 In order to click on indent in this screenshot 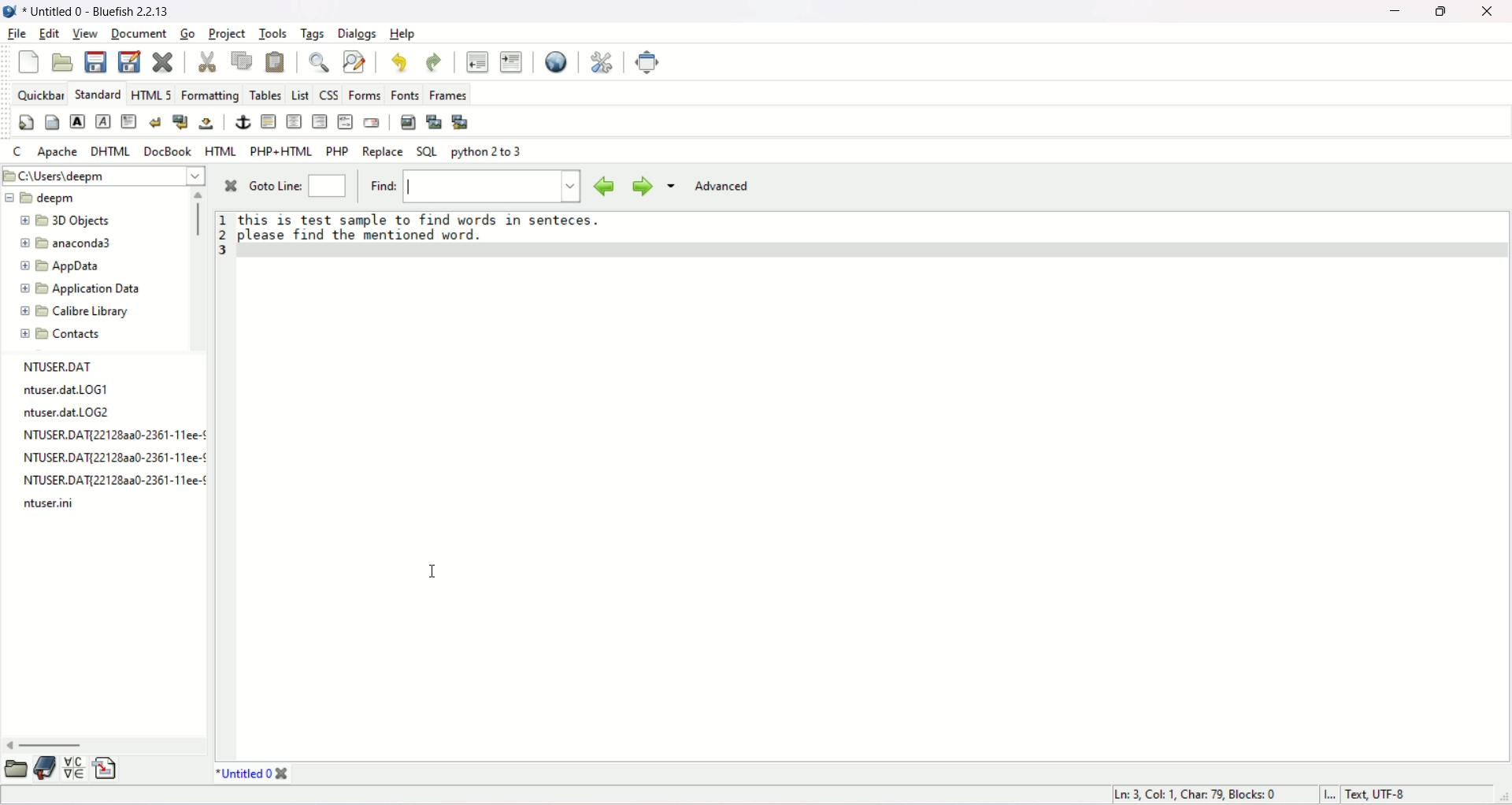, I will do `click(511, 60)`.